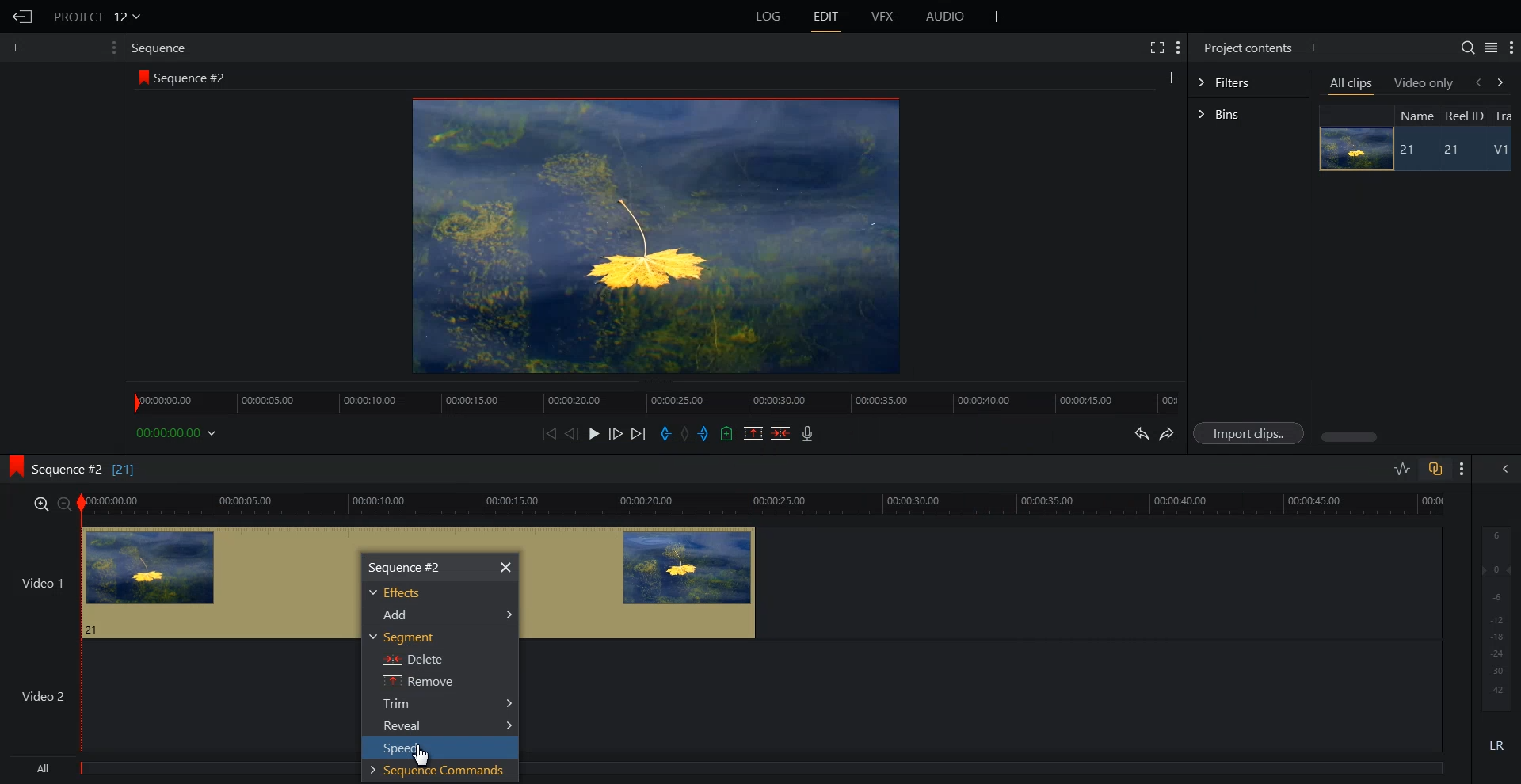 This screenshot has width=1521, height=784. I want to click on Go Back, so click(23, 17).